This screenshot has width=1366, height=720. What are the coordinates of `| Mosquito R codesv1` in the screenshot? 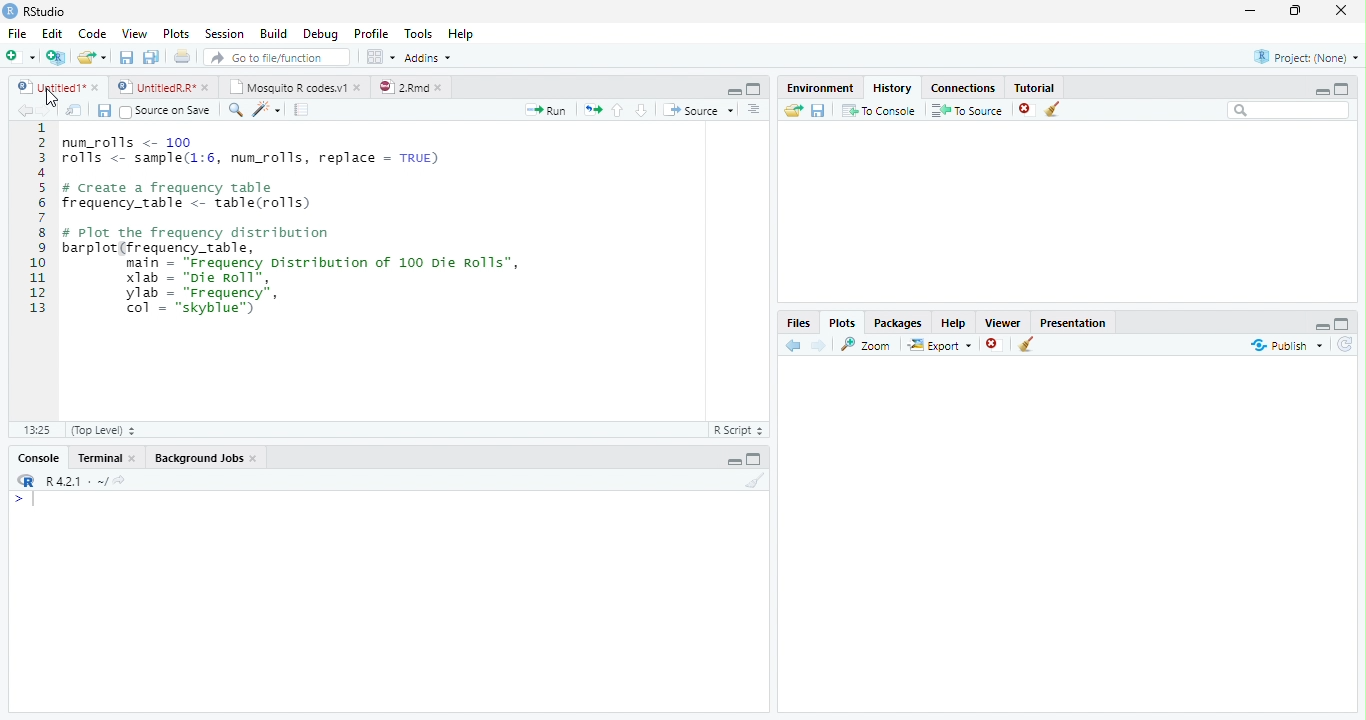 It's located at (294, 87).